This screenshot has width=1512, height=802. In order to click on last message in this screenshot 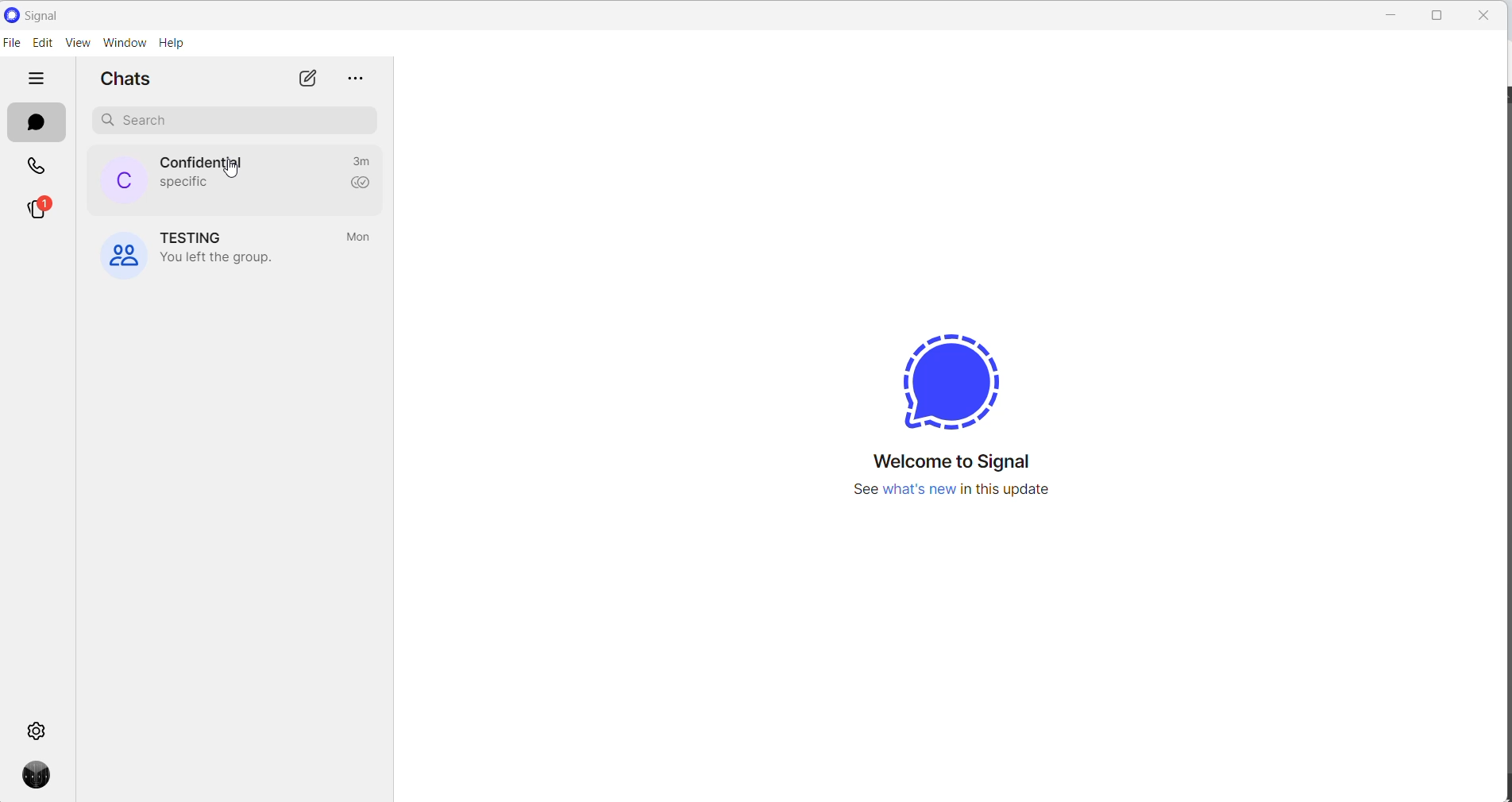, I will do `click(182, 183)`.